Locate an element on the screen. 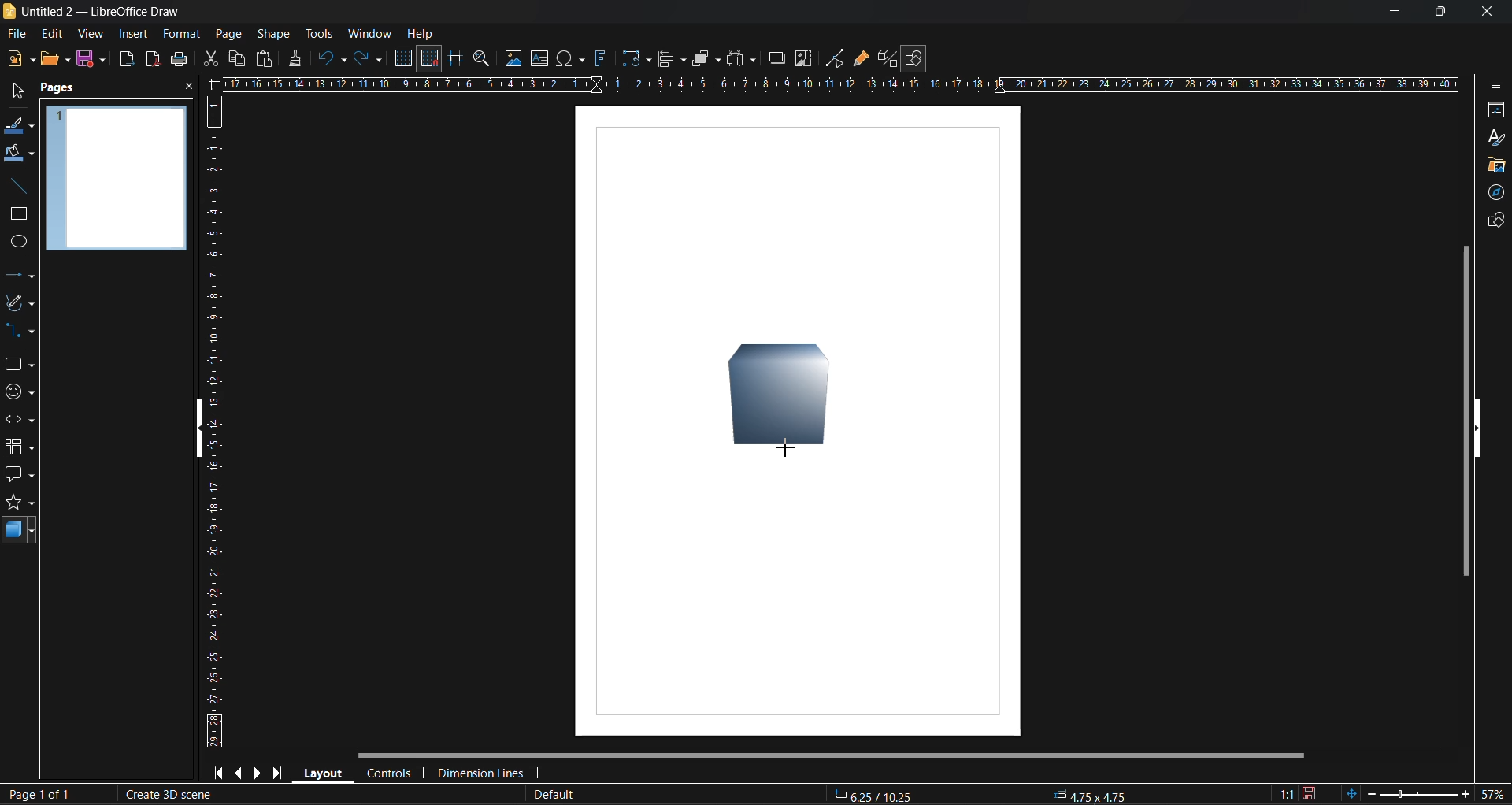 The image size is (1512, 805). dimension lines is located at coordinates (481, 770).